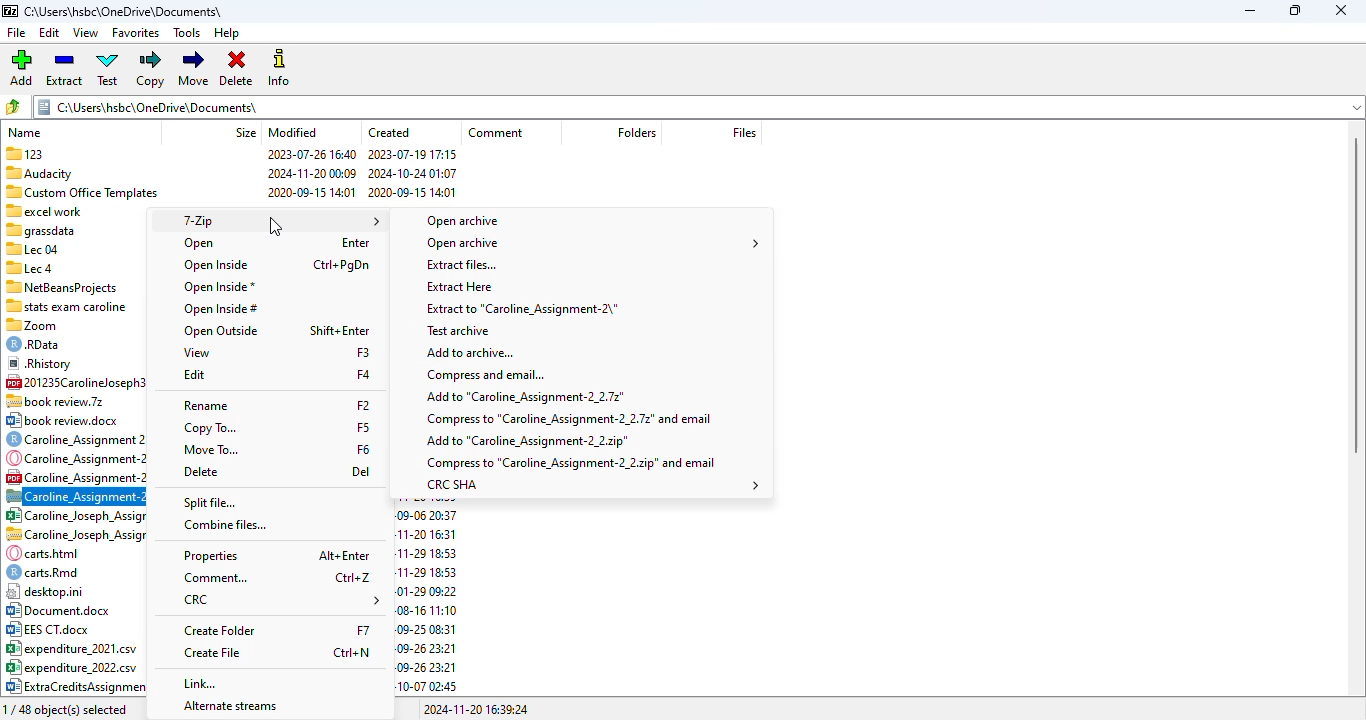 The image size is (1366, 720). I want to click on split file, so click(207, 502).